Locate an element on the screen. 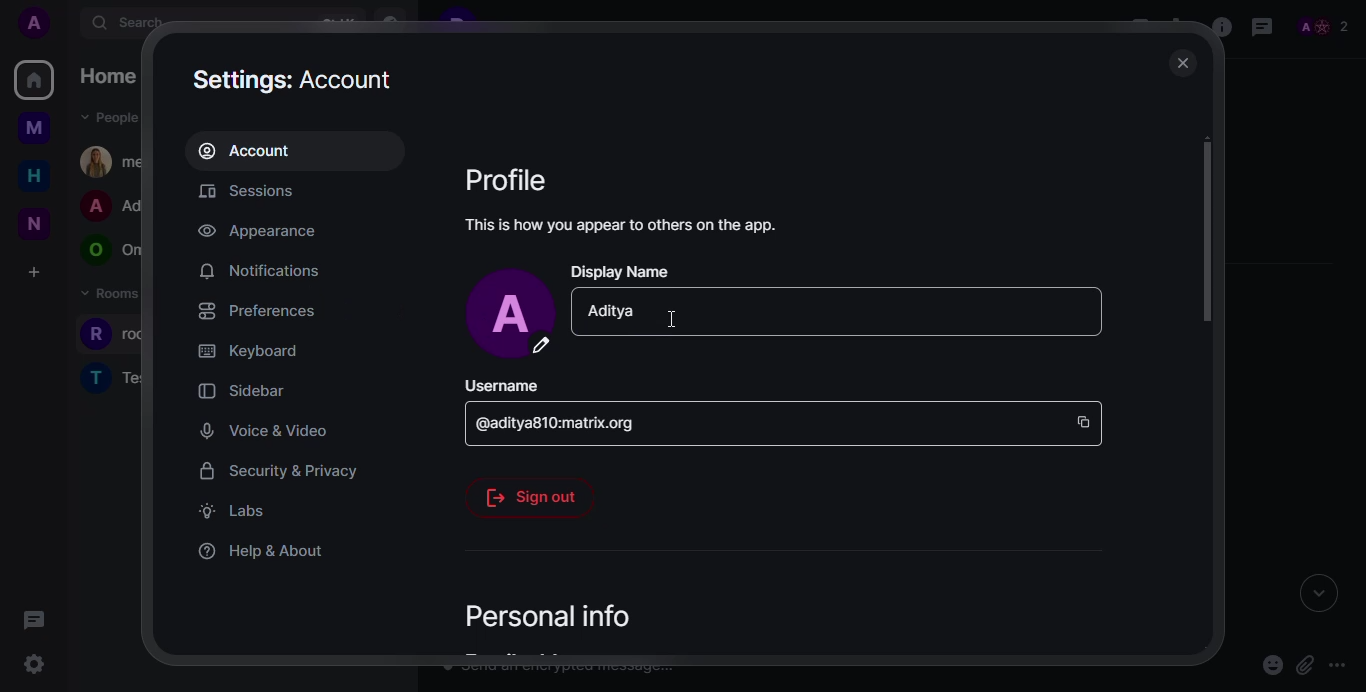  sidebar is located at coordinates (244, 390).